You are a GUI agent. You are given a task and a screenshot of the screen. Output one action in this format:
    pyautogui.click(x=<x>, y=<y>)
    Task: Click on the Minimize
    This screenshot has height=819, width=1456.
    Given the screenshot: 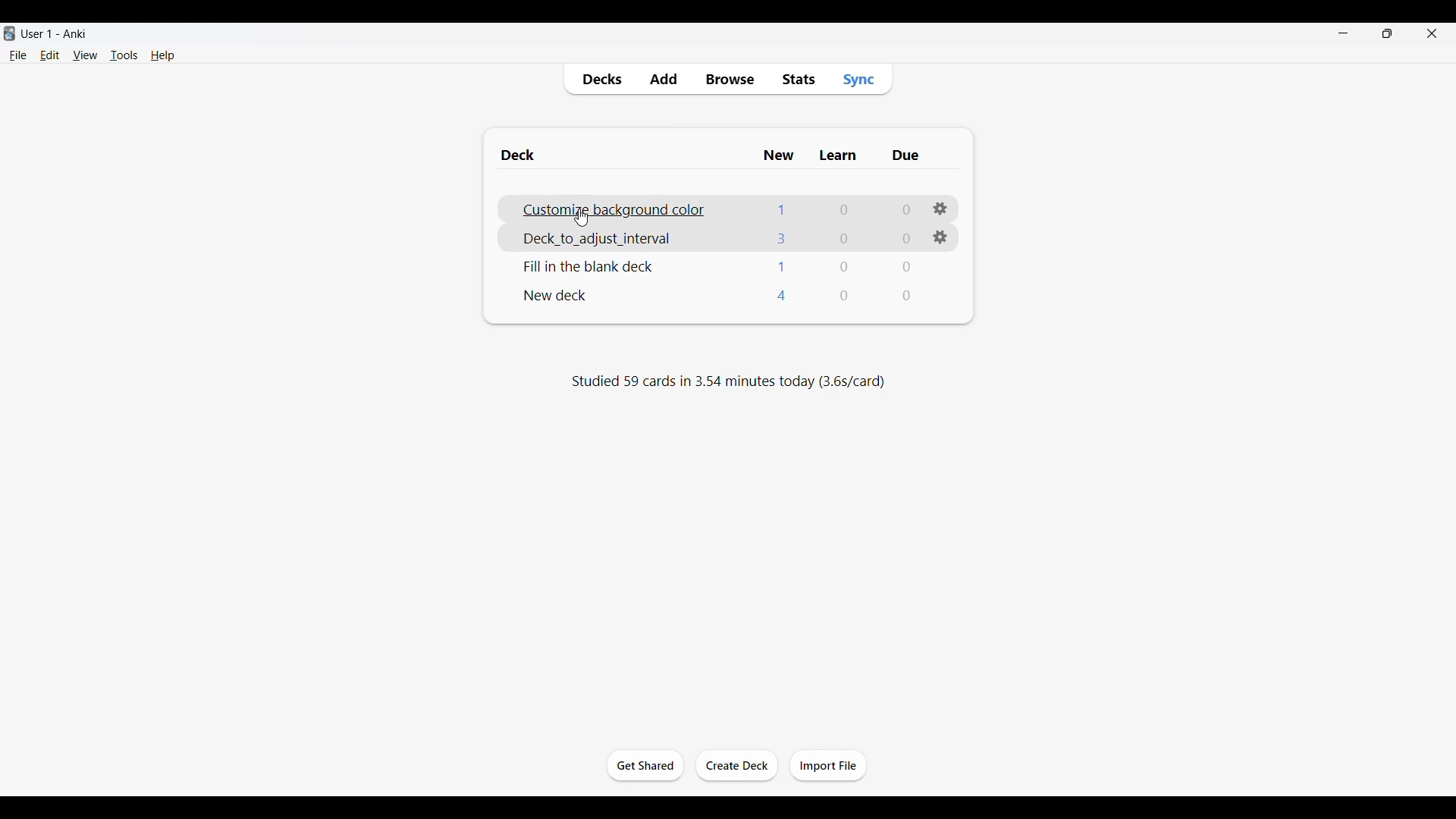 What is the action you would take?
    pyautogui.click(x=1343, y=33)
    